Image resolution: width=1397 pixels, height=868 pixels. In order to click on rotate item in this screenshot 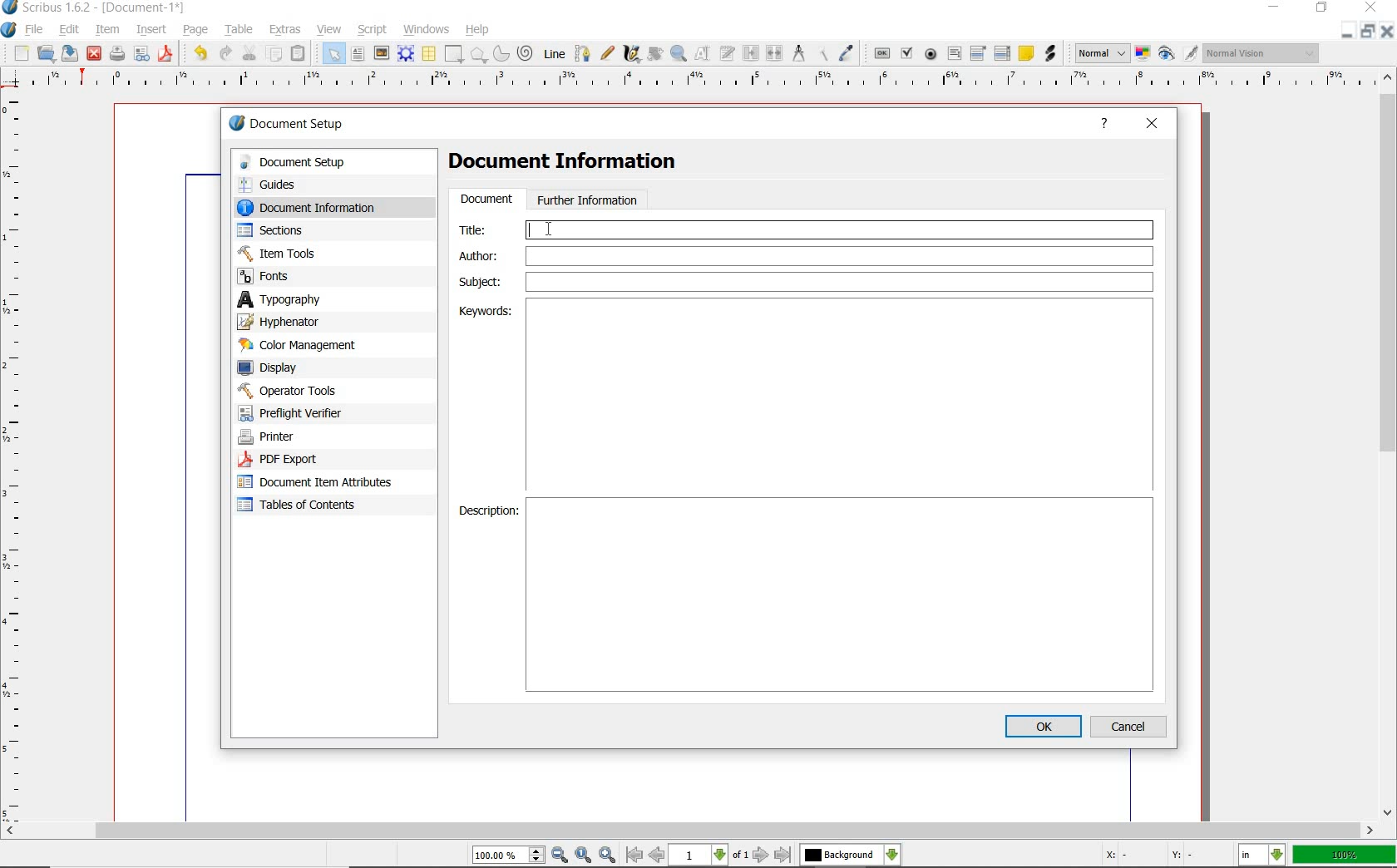, I will do `click(655, 55)`.